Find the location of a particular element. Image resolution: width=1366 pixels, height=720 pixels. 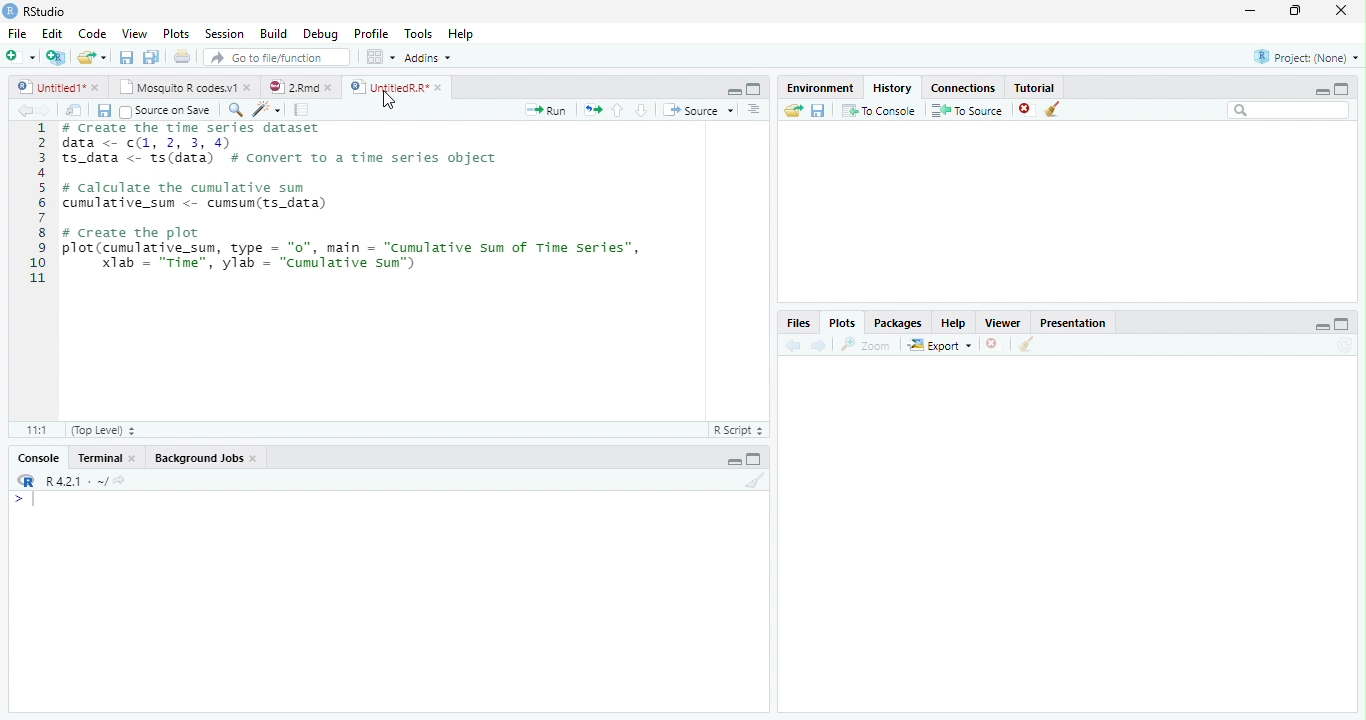

Tutorial is located at coordinates (1036, 86).